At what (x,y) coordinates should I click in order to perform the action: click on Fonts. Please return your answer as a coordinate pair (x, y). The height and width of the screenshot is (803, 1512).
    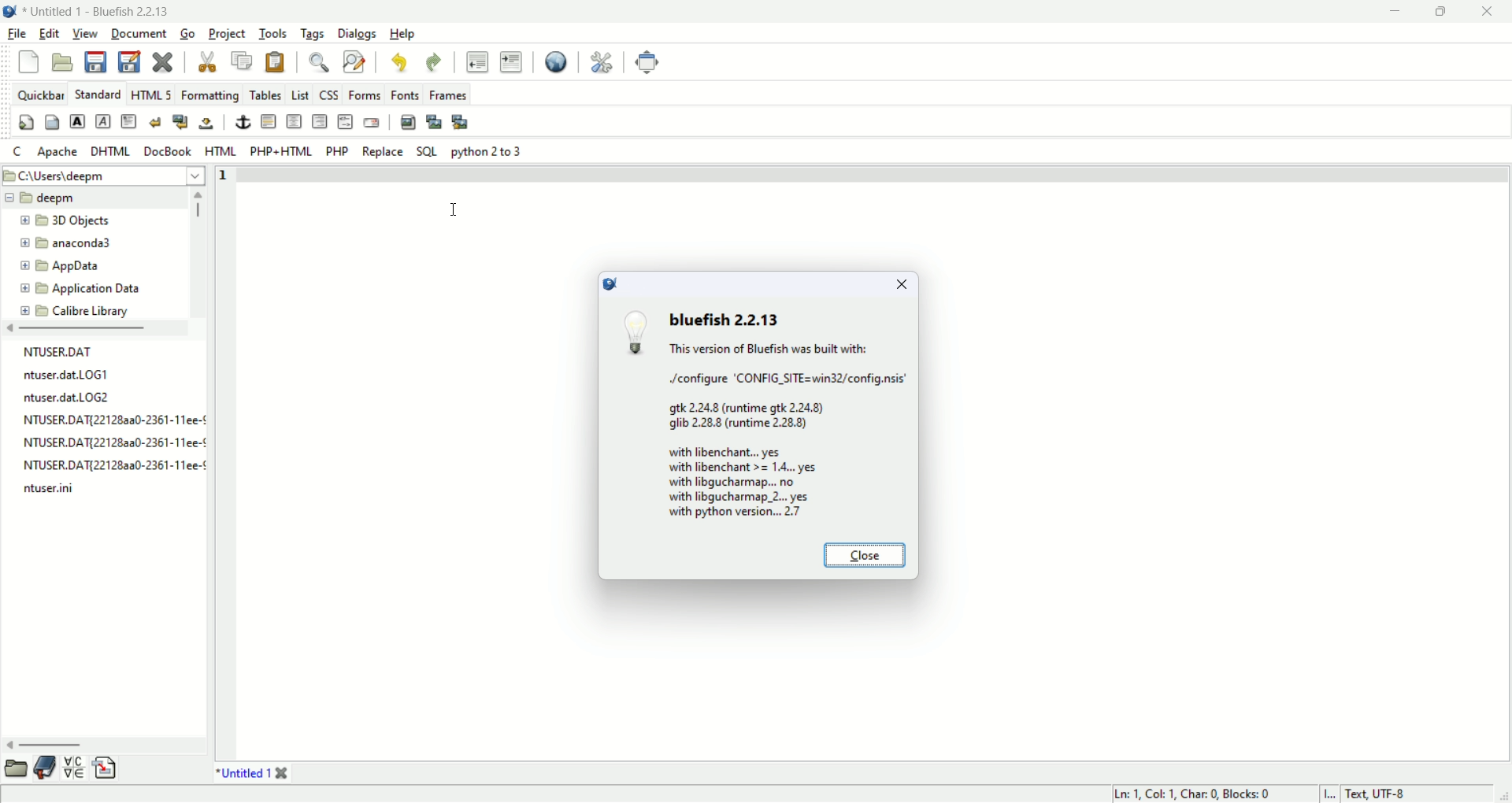
    Looking at the image, I should click on (406, 94).